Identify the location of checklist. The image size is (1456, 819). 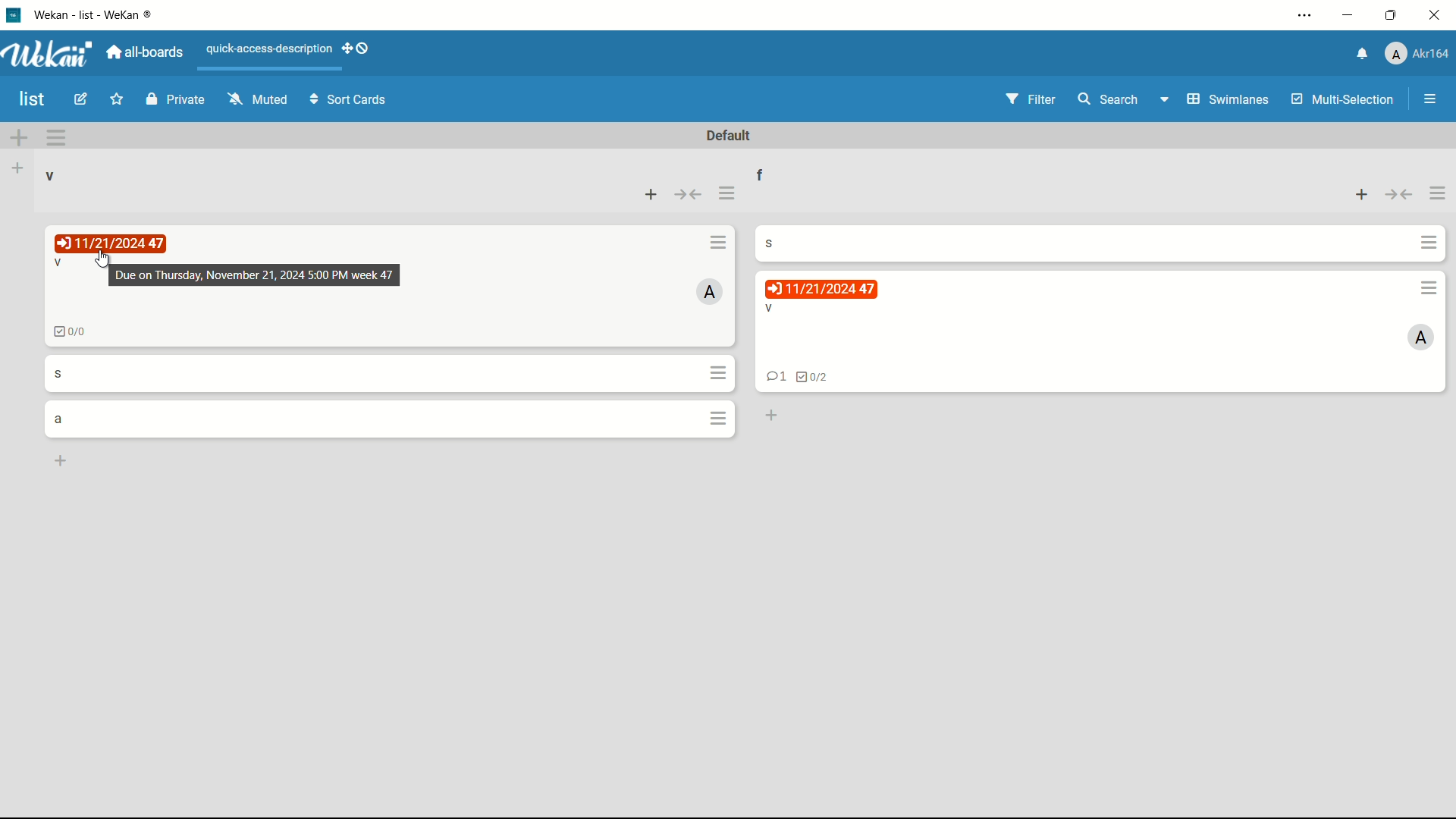
(70, 331).